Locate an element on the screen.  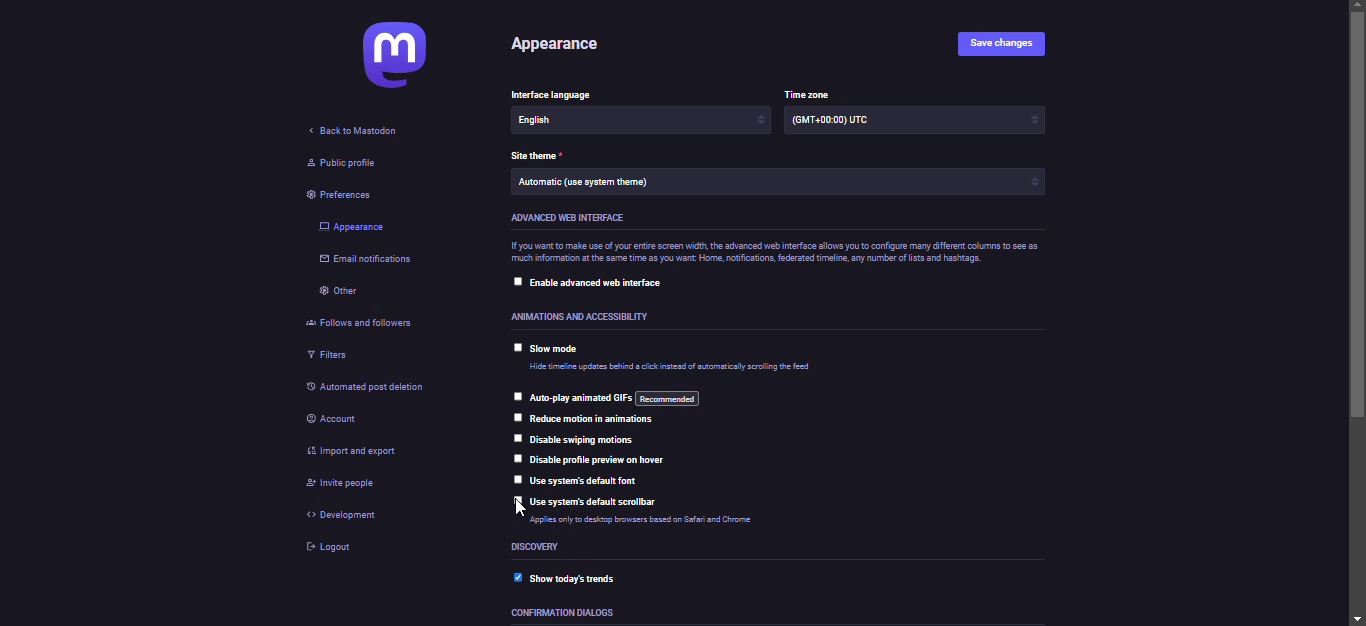
click to select is located at coordinates (513, 348).